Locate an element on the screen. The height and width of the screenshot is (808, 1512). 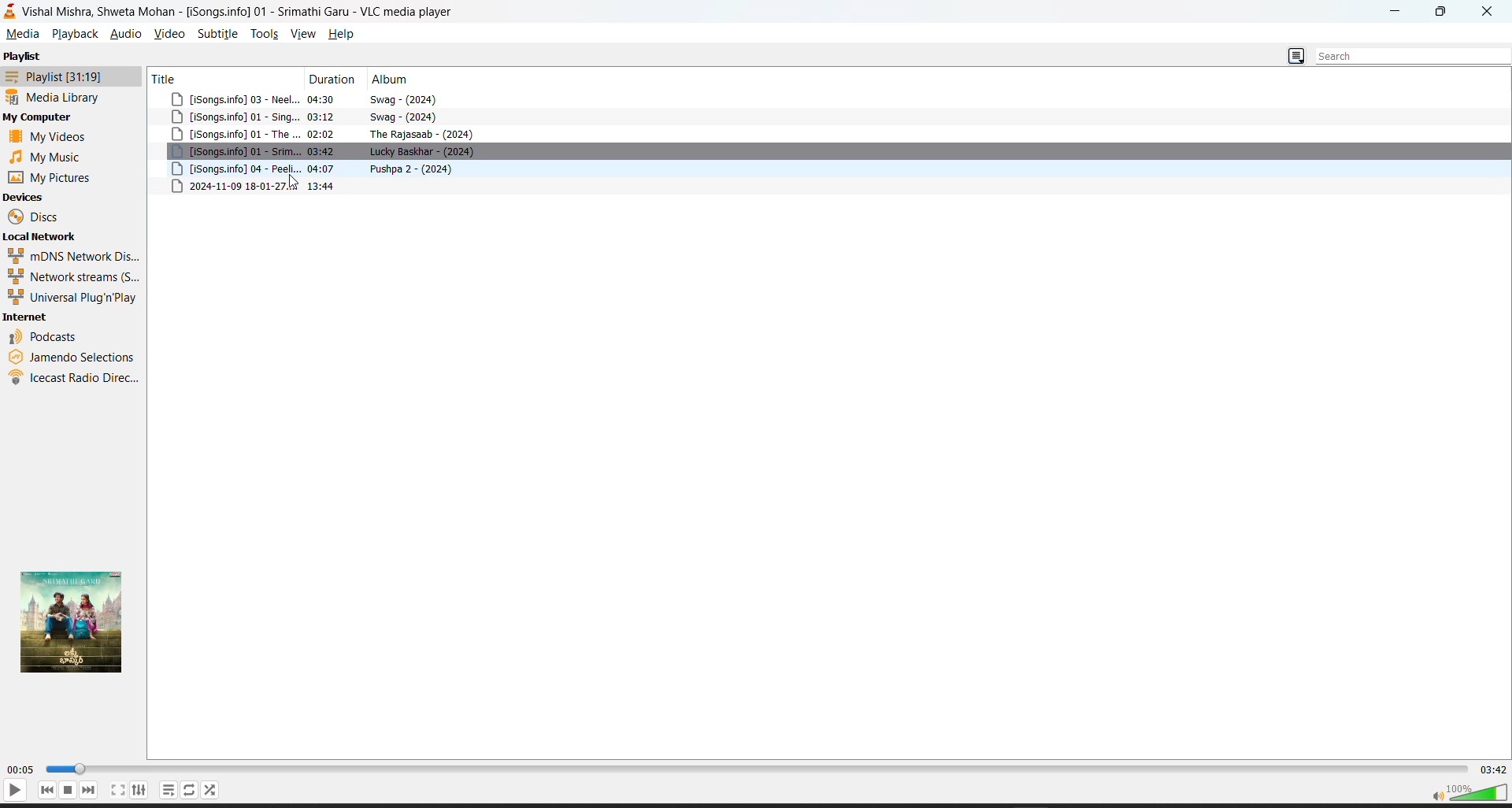
cursor movement is located at coordinates (295, 183).